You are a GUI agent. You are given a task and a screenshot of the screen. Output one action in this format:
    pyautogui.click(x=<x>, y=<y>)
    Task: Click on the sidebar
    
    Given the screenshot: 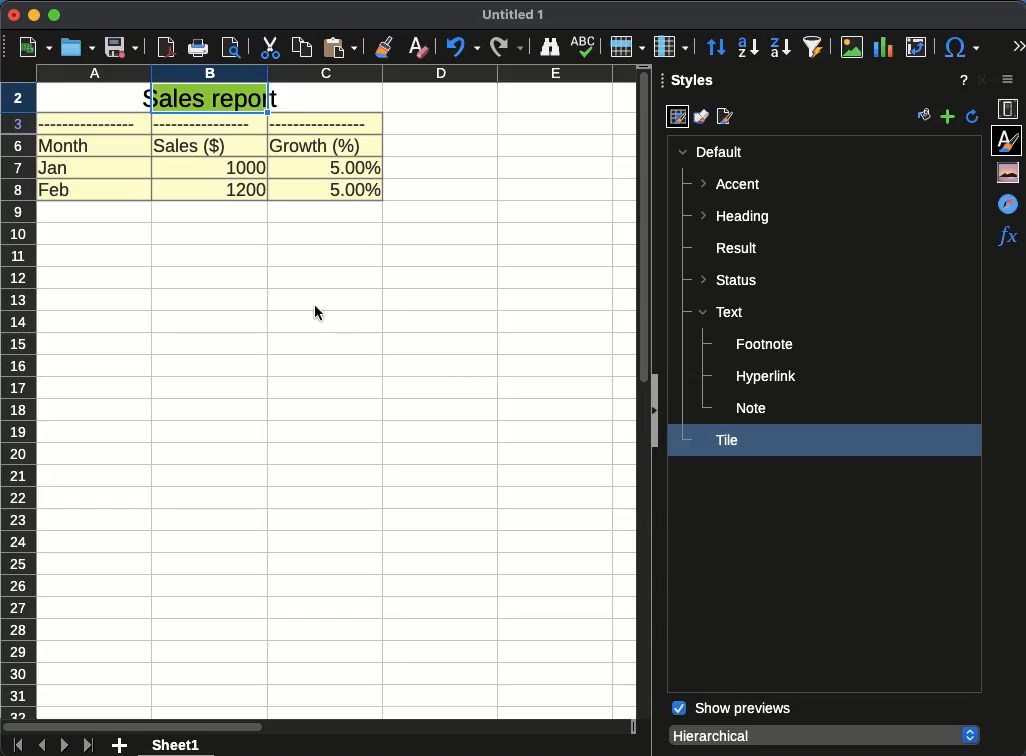 What is the action you would take?
    pyautogui.click(x=1012, y=81)
    